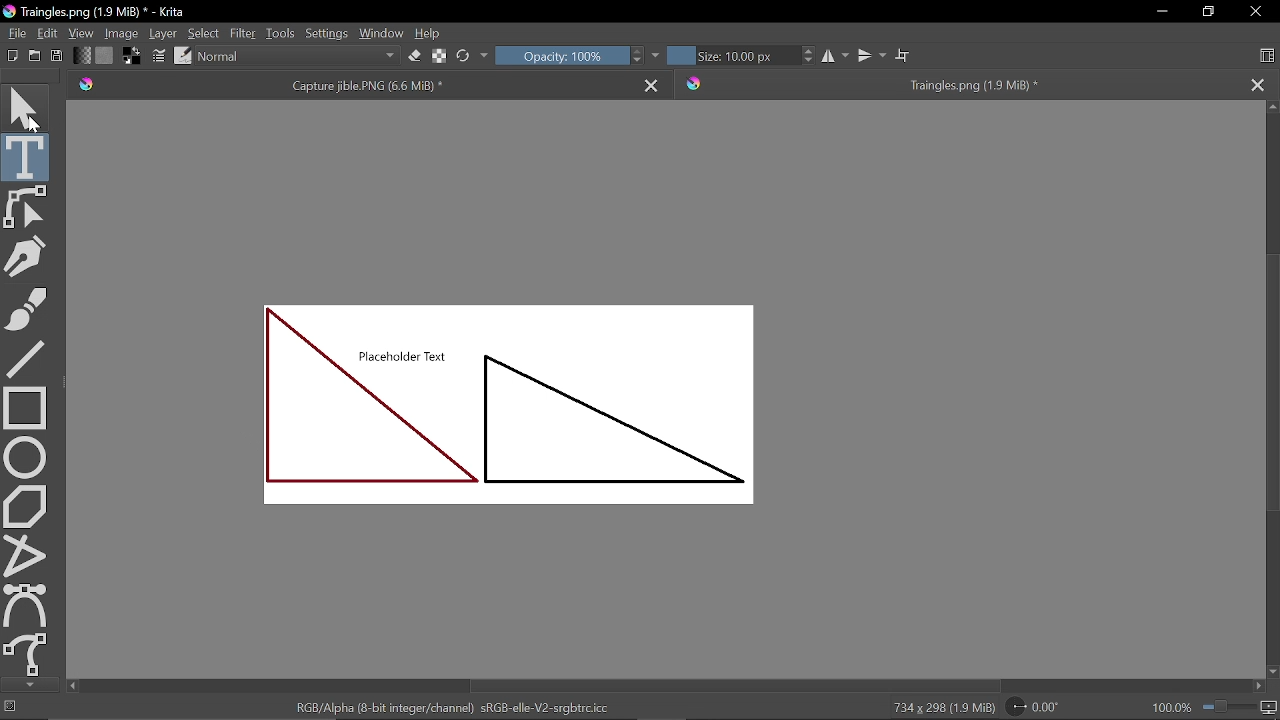 Image resolution: width=1280 pixels, height=720 pixels. I want to click on Window, so click(382, 32).